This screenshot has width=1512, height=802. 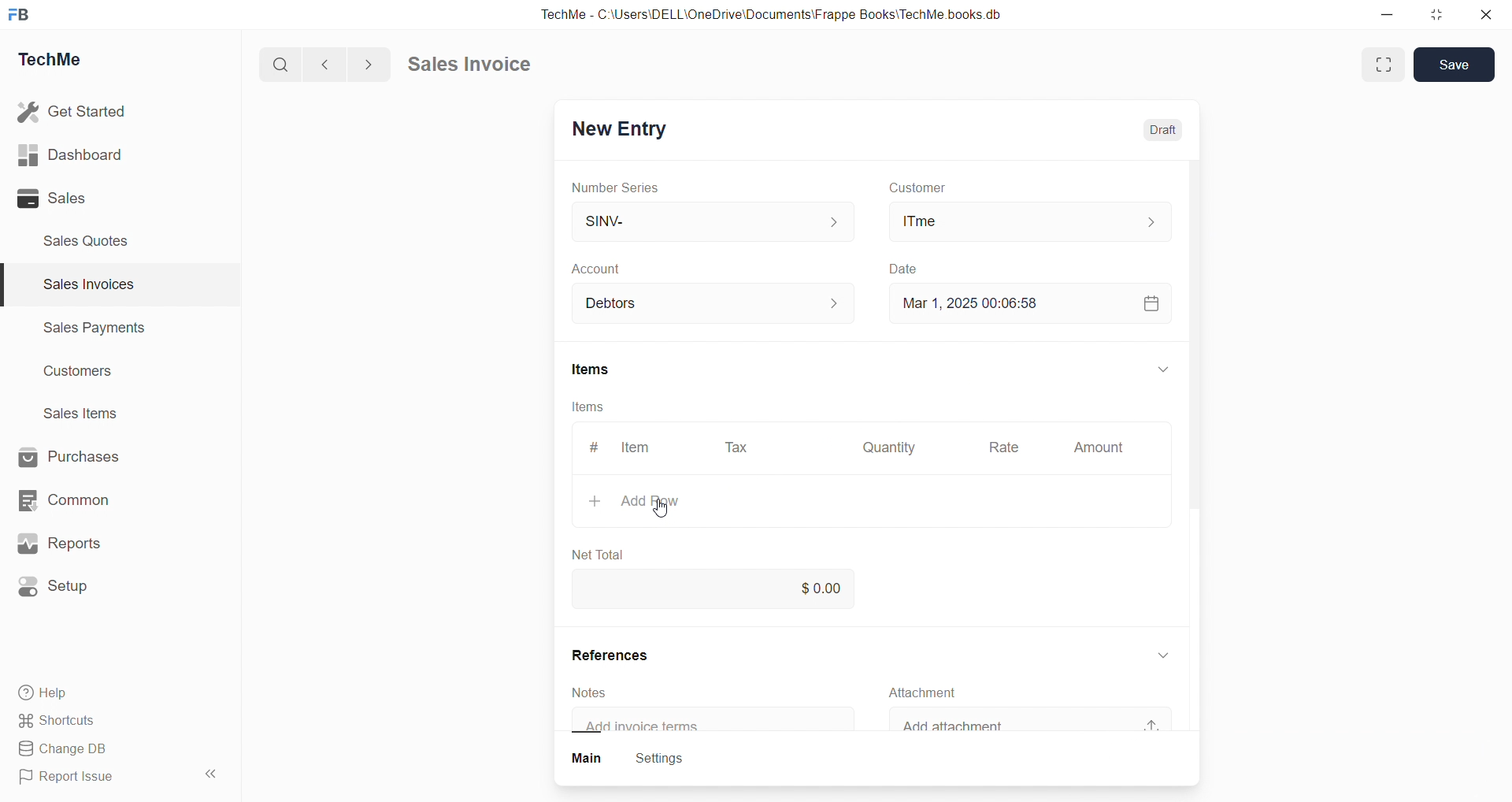 What do you see at coordinates (976, 726) in the screenshot?
I see `Add attachment` at bounding box center [976, 726].